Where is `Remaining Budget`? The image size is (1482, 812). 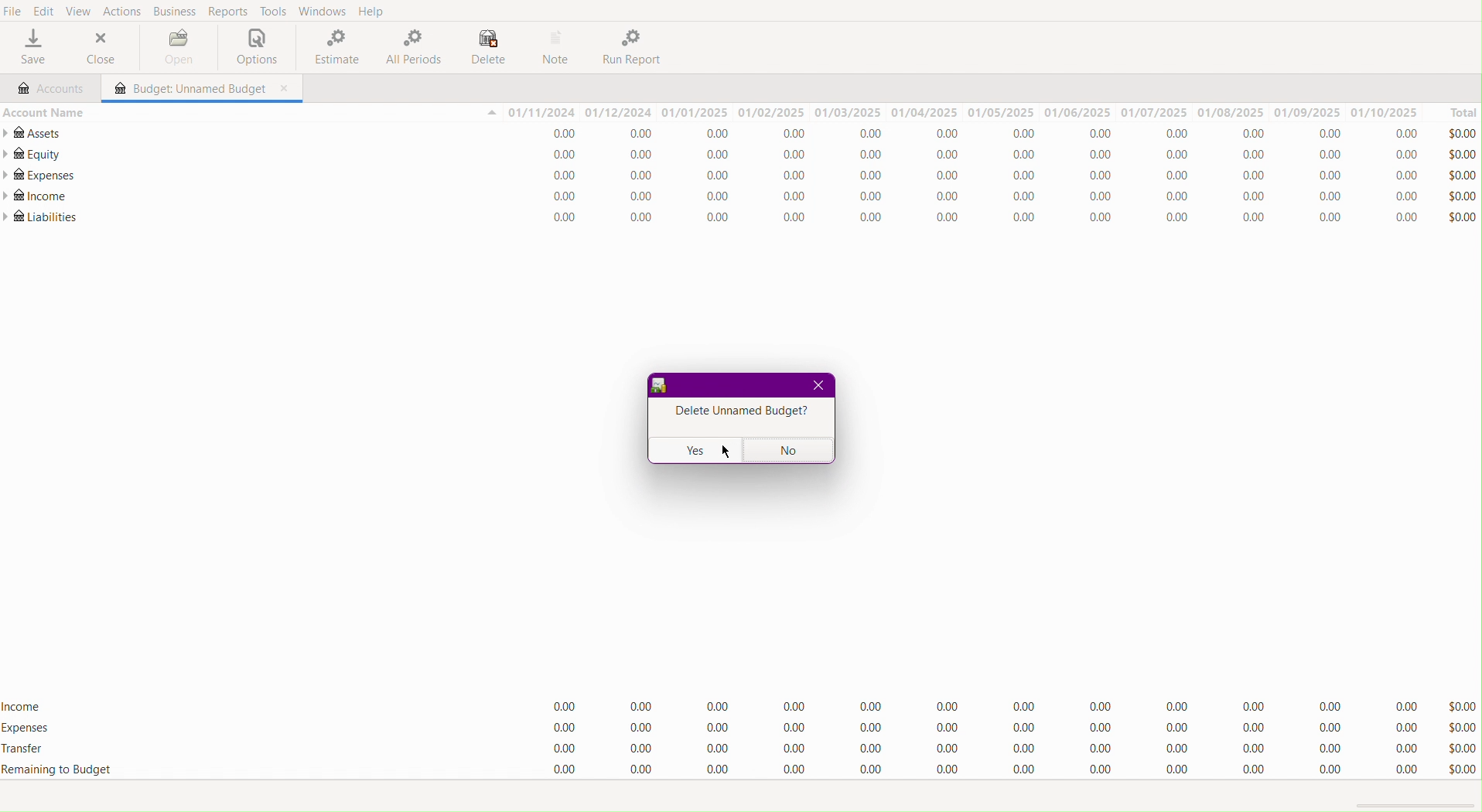
Remaining Budget is located at coordinates (57, 769).